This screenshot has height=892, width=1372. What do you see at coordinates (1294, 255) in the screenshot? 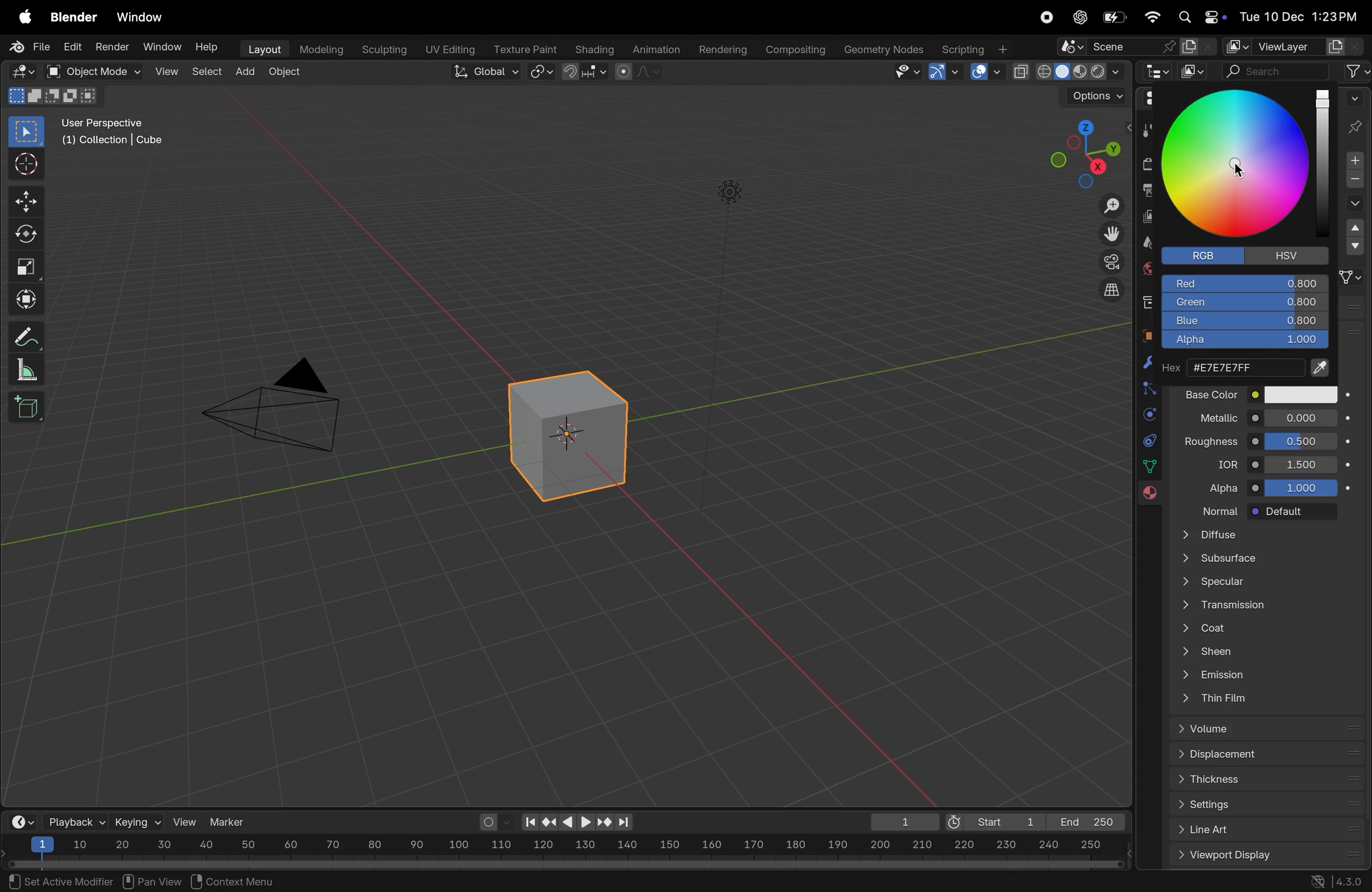
I see `hsv` at bounding box center [1294, 255].